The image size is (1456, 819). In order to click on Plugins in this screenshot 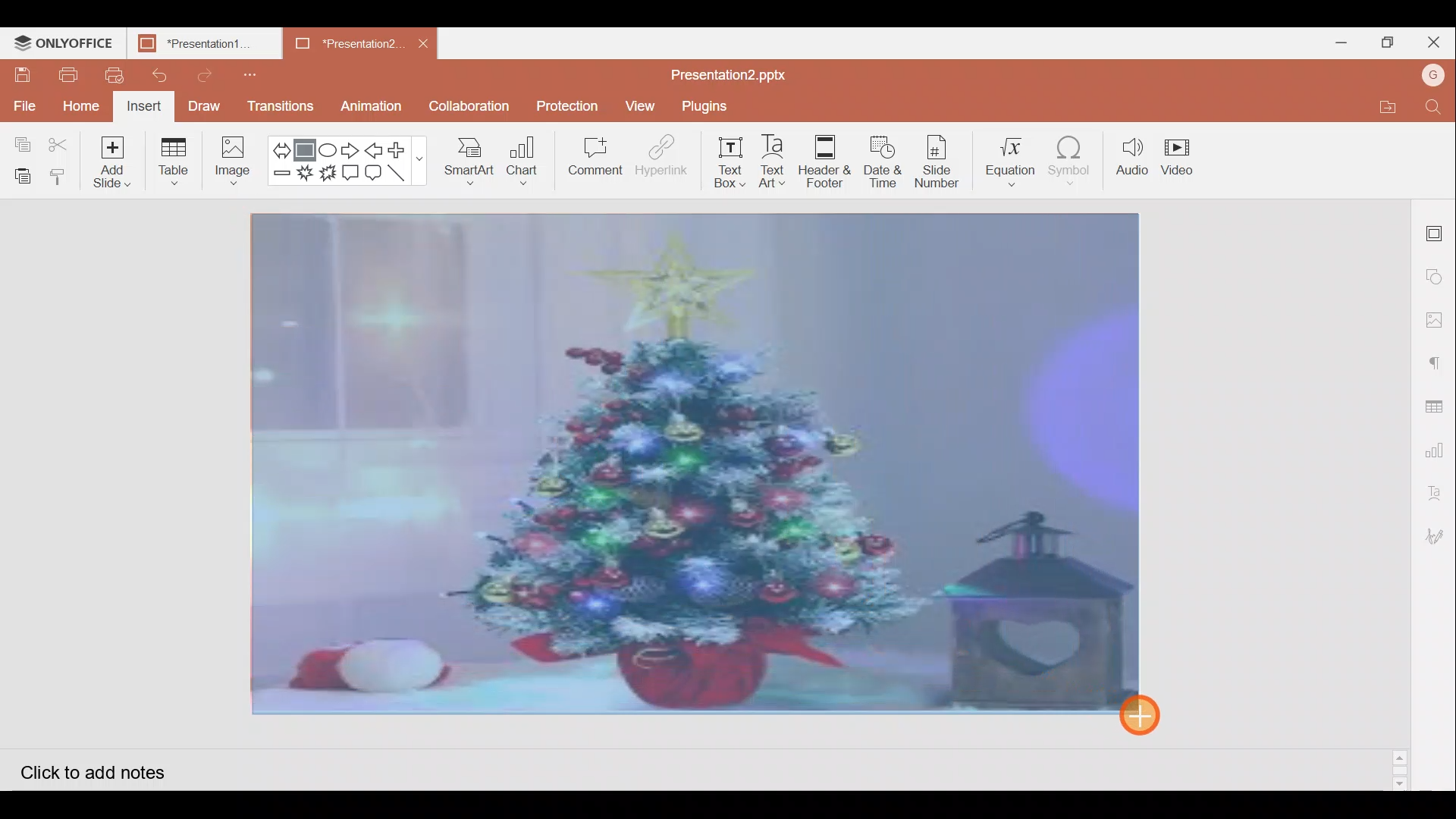, I will do `click(711, 107)`.